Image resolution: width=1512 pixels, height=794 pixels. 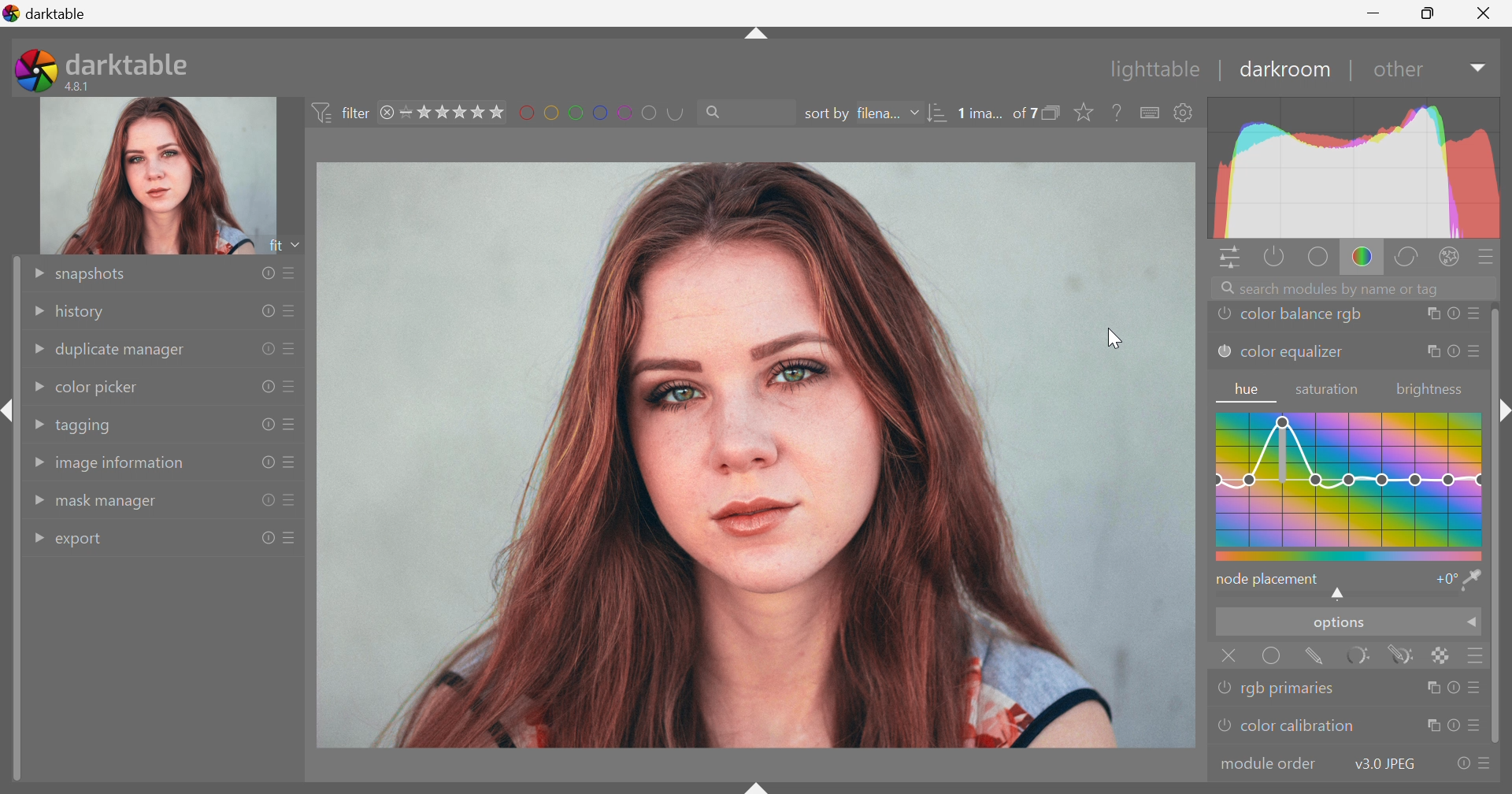 I want to click on drawn mask, so click(x=1319, y=658).